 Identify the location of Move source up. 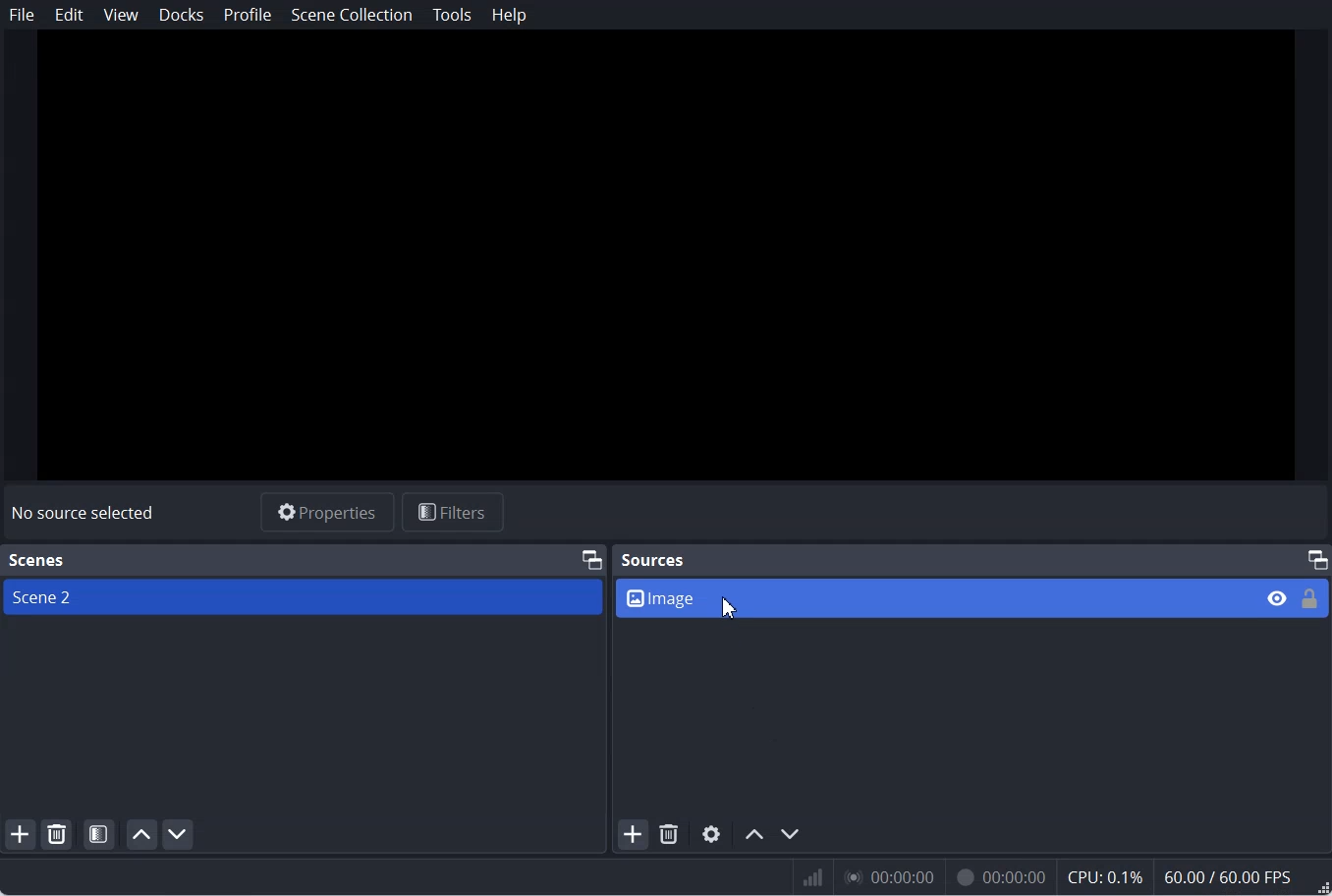
(754, 834).